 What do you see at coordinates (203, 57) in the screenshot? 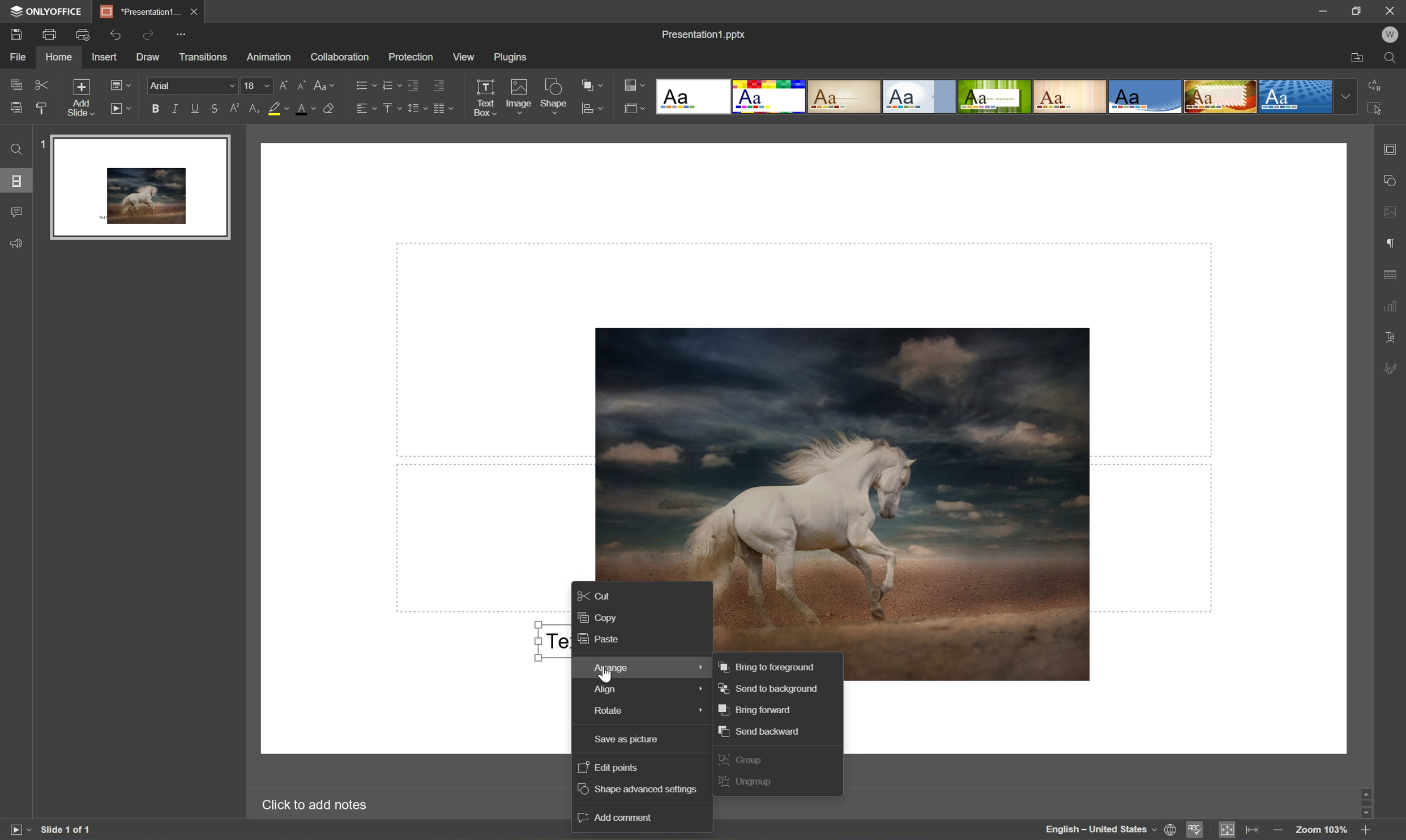
I see `Transitions` at bounding box center [203, 57].